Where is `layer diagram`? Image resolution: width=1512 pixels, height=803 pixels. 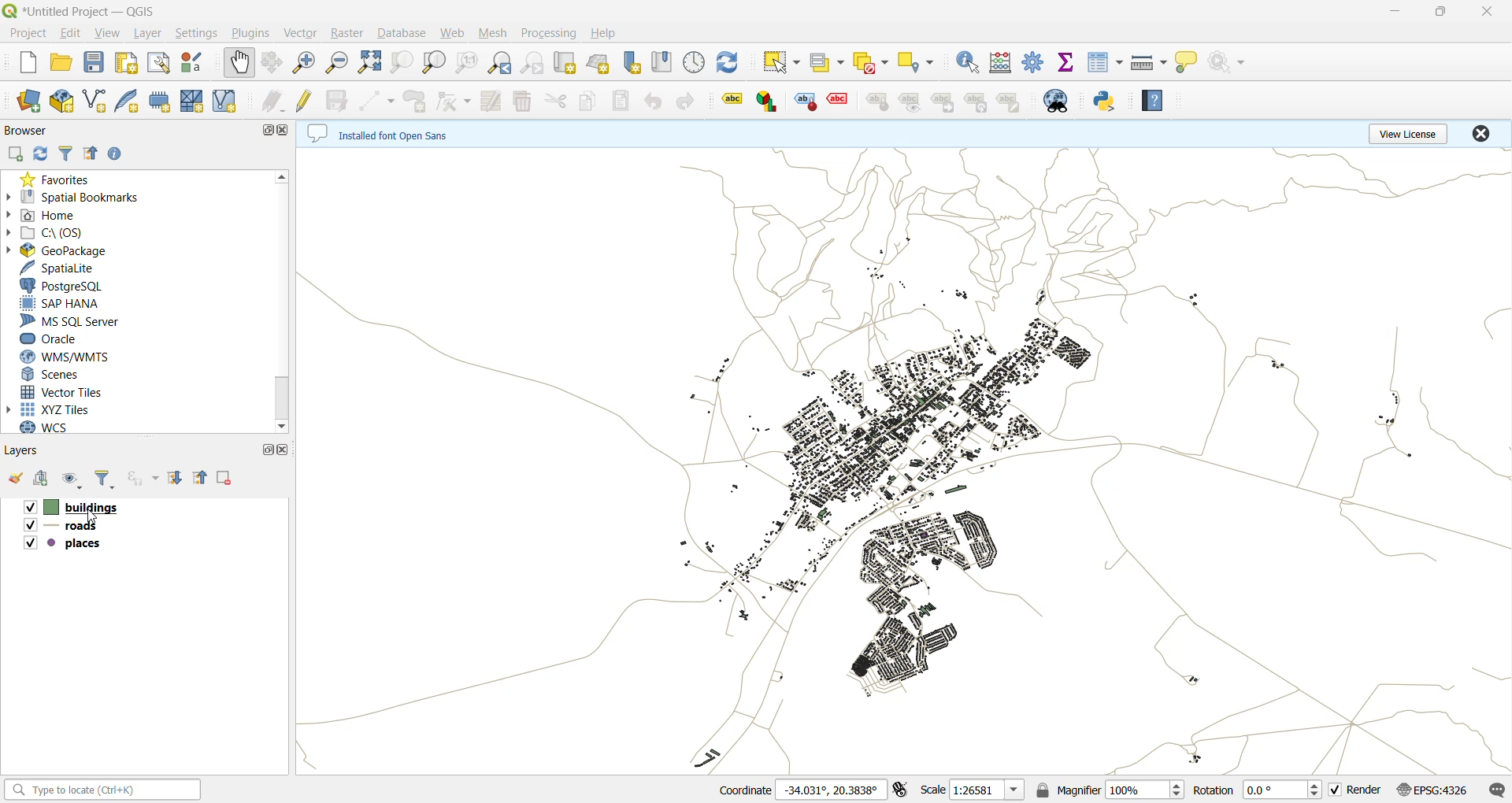
layer diagram is located at coordinates (765, 100).